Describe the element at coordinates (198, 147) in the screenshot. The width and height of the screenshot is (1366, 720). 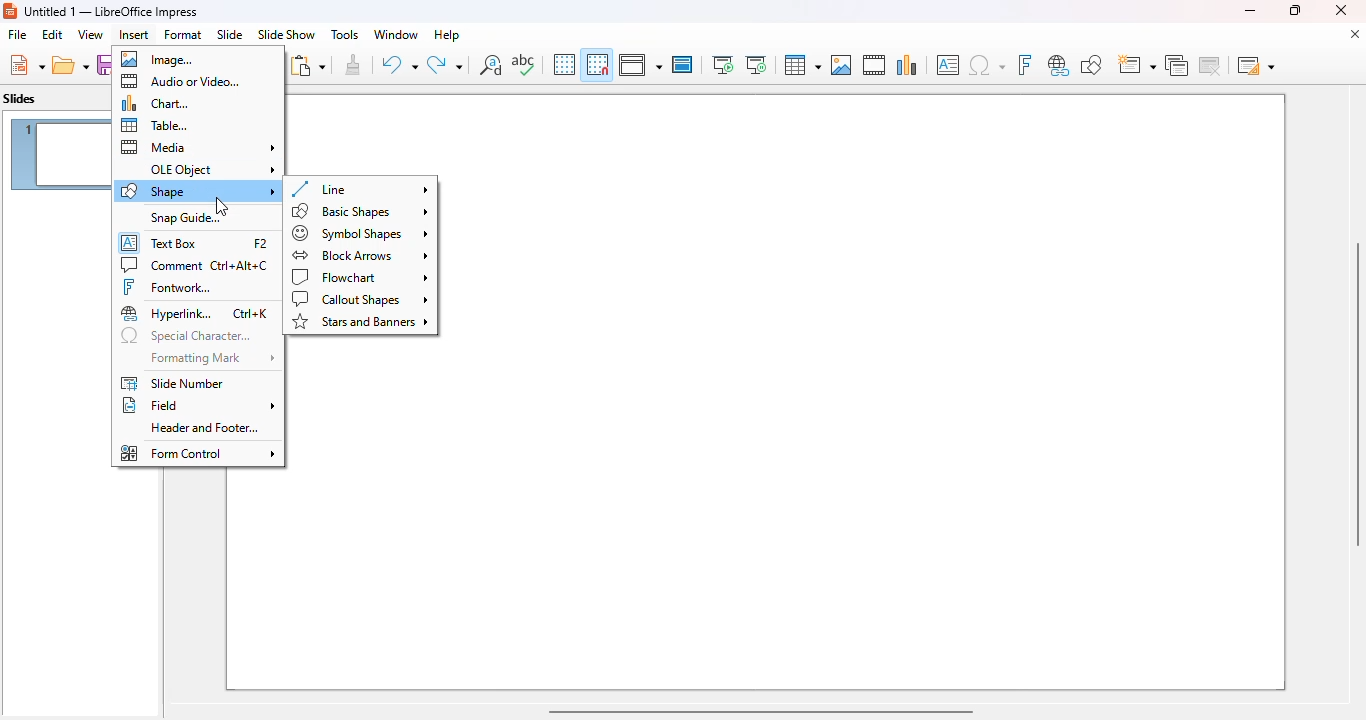
I see `media` at that location.